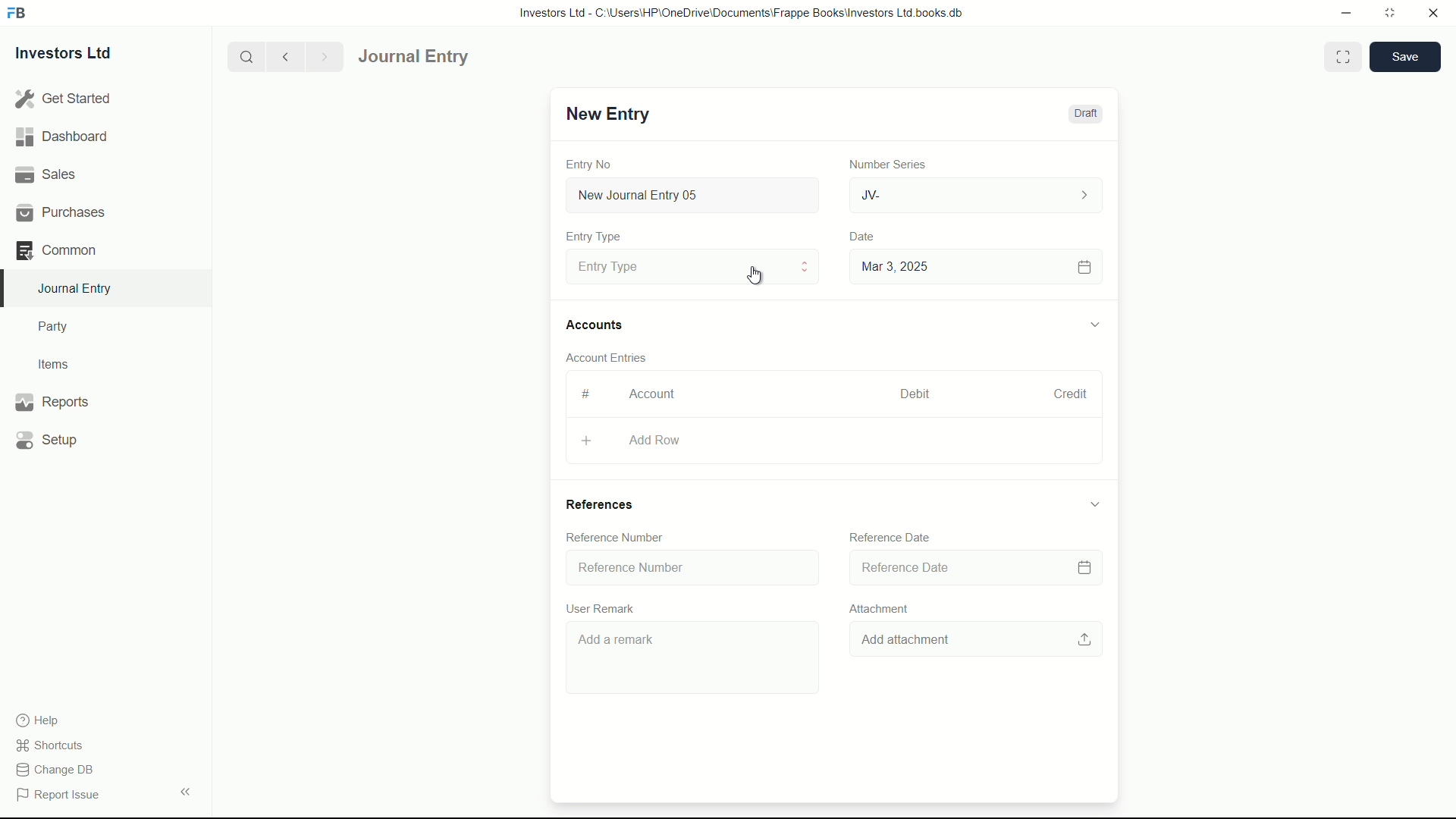 Image resolution: width=1456 pixels, height=819 pixels. What do you see at coordinates (591, 162) in the screenshot?
I see `Entry No` at bounding box center [591, 162].